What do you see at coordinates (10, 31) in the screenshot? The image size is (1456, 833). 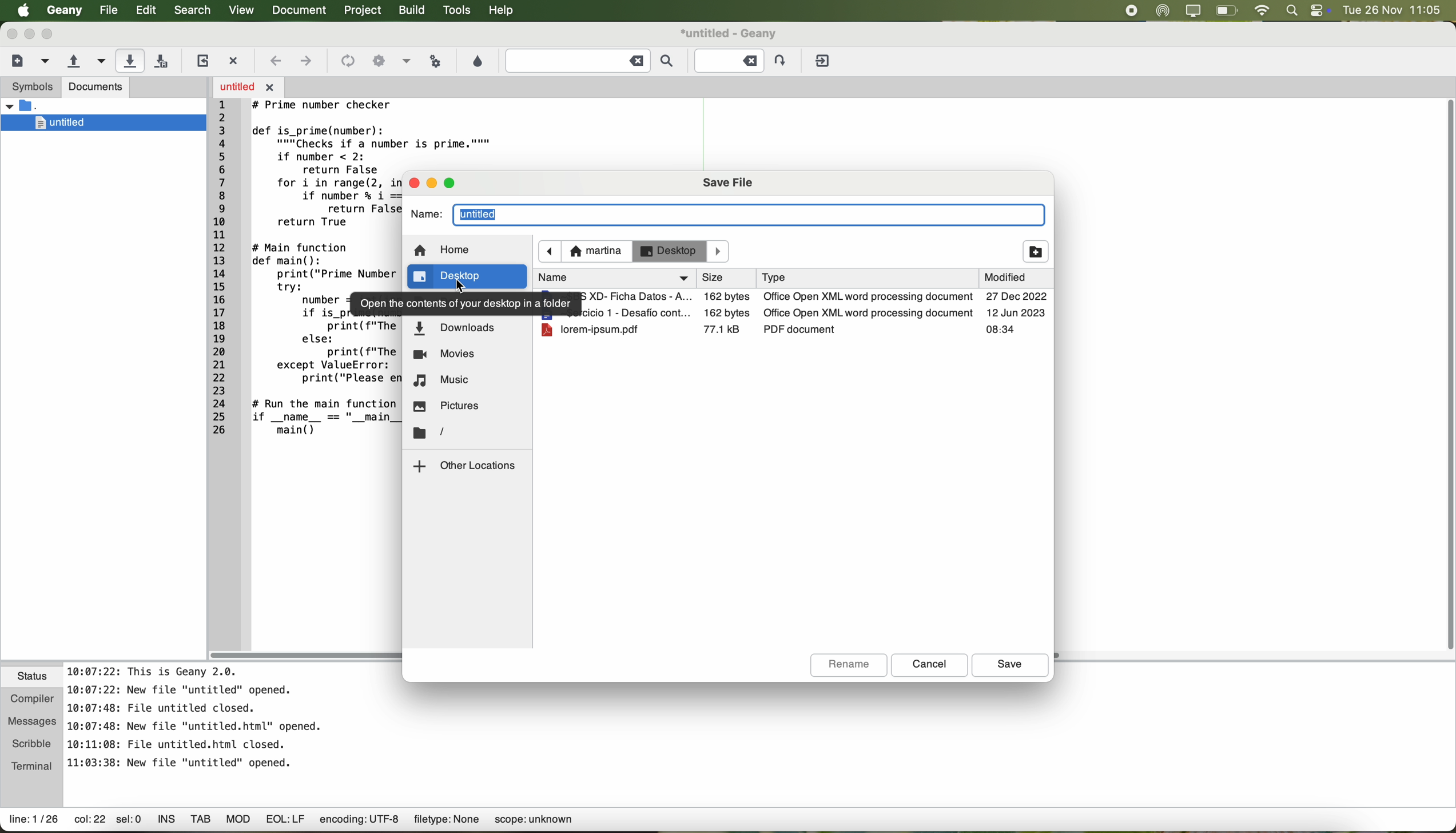 I see `close Geany` at bounding box center [10, 31].